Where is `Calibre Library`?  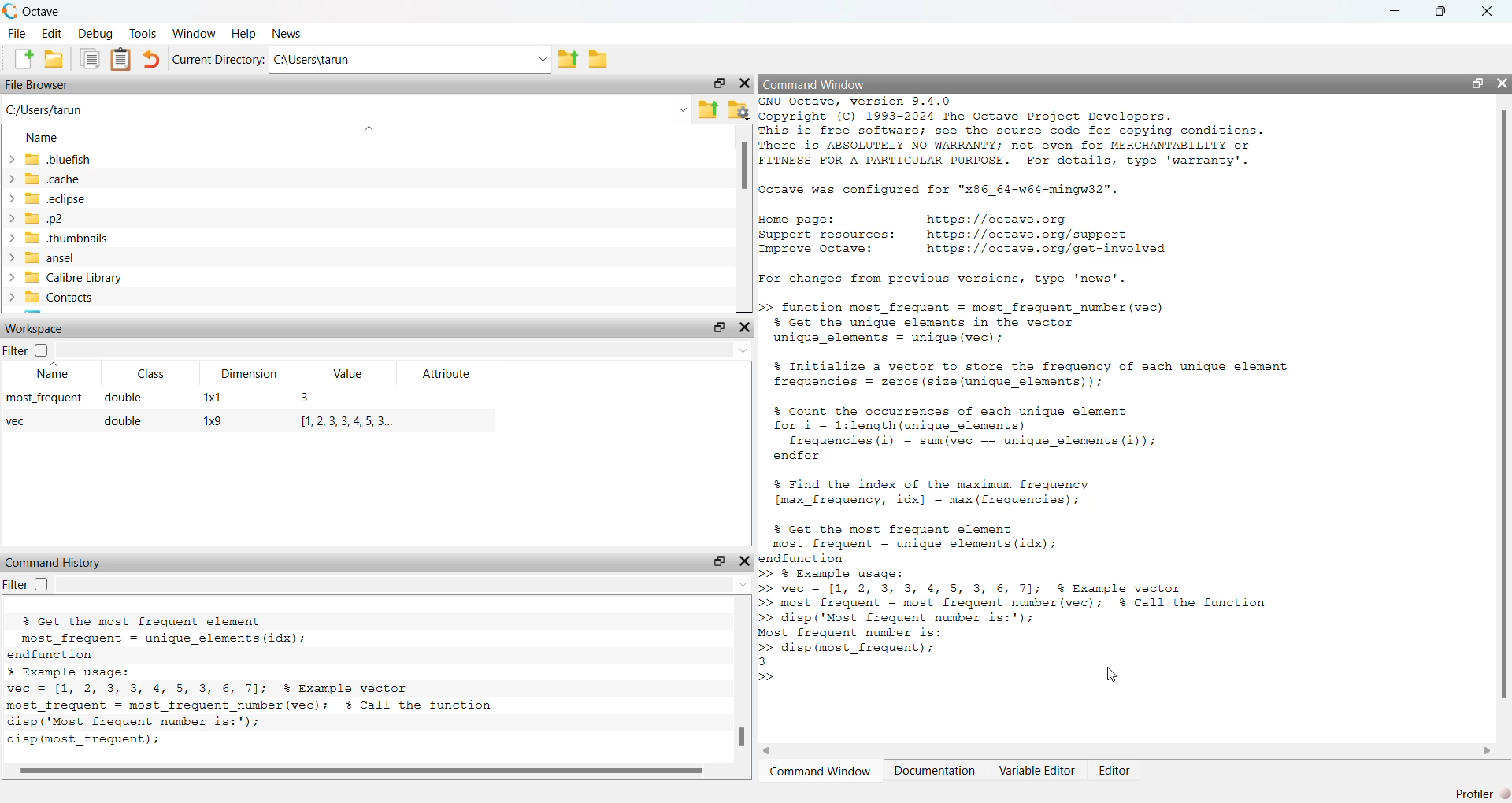 Calibre Library is located at coordinates (74, 277).